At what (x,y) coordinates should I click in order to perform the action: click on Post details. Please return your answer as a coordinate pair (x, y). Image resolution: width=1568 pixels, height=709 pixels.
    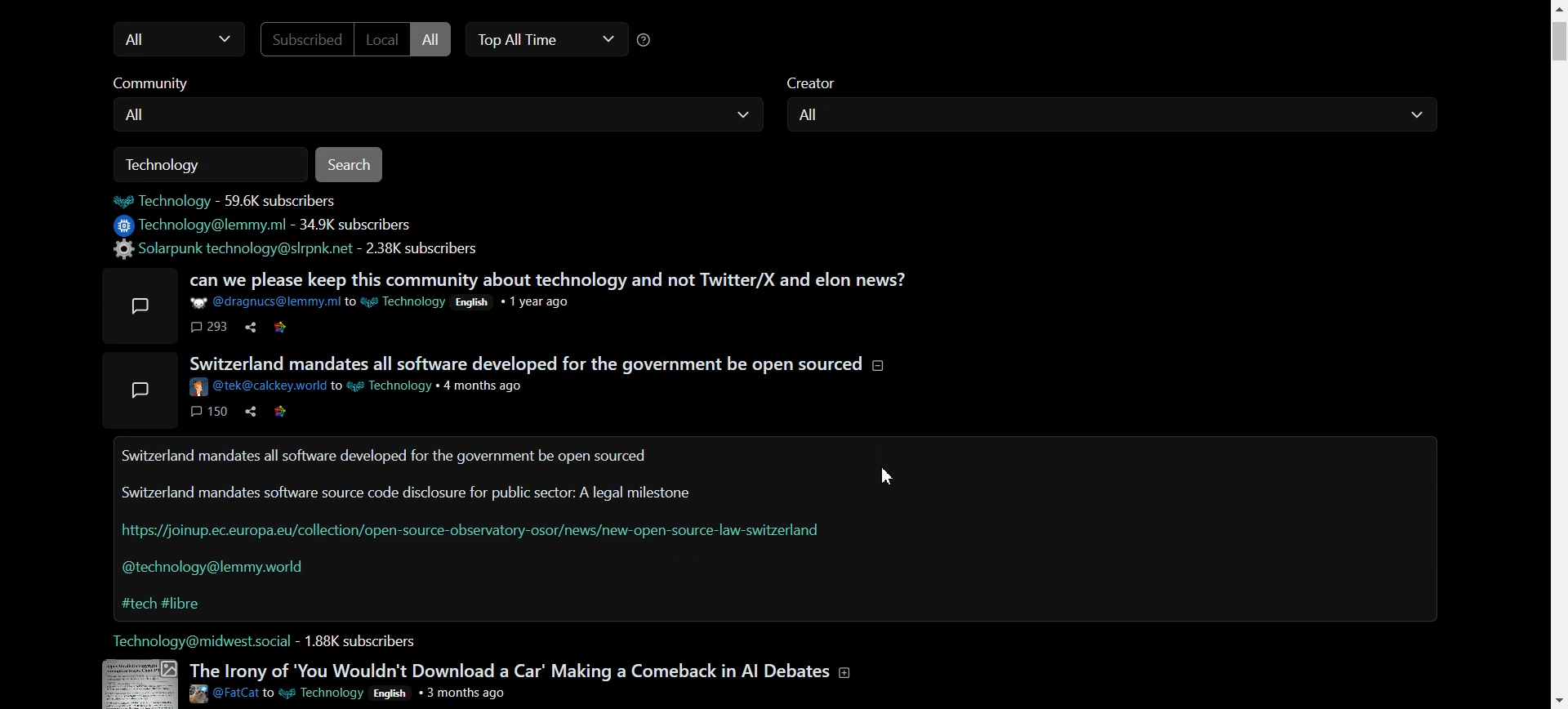
    Looking at the image, I should click on (349, 694).